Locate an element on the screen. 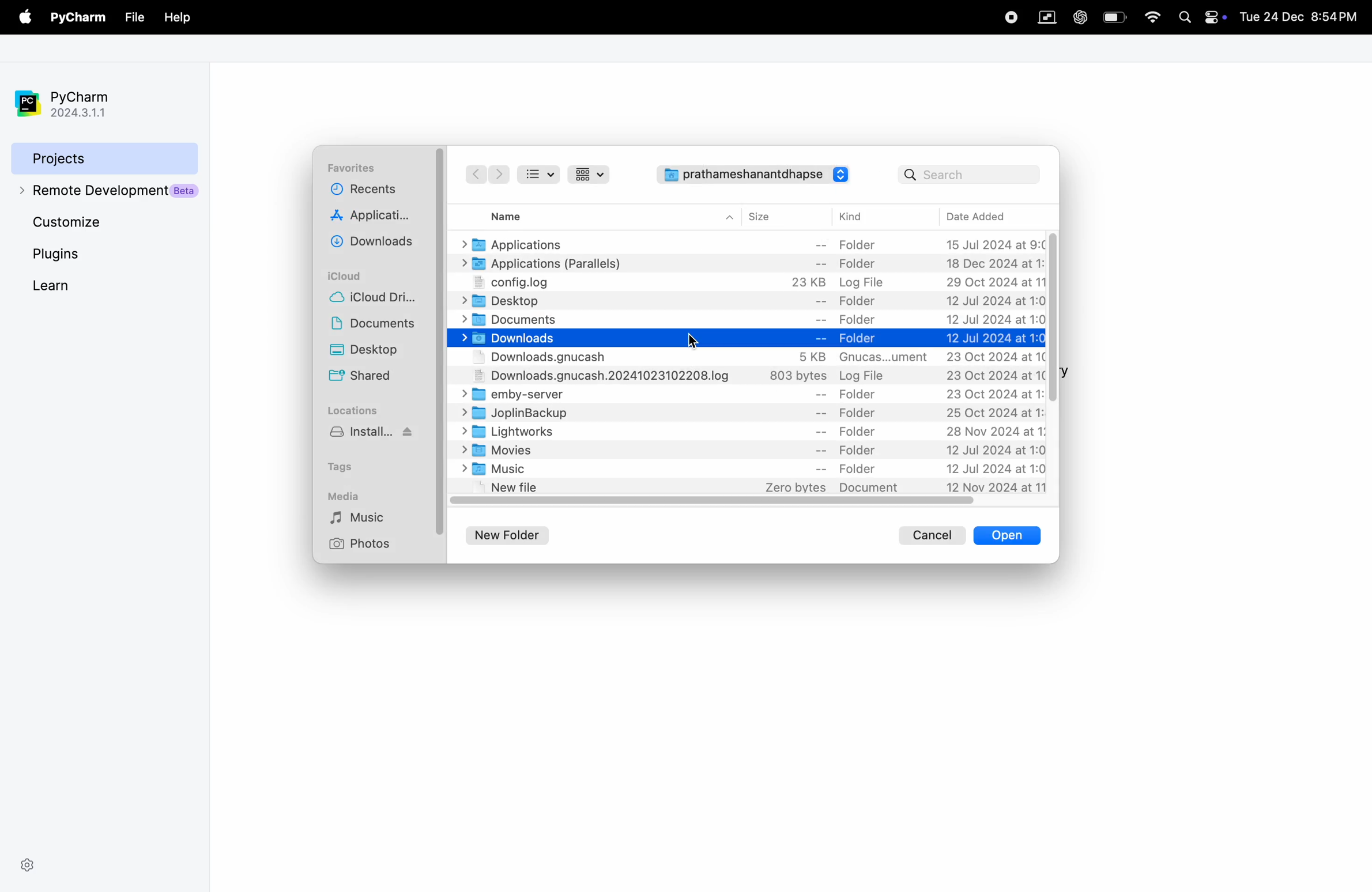 The height and width of the screenshot is (892, 1372). plugins is located at coordinates (77, 254).